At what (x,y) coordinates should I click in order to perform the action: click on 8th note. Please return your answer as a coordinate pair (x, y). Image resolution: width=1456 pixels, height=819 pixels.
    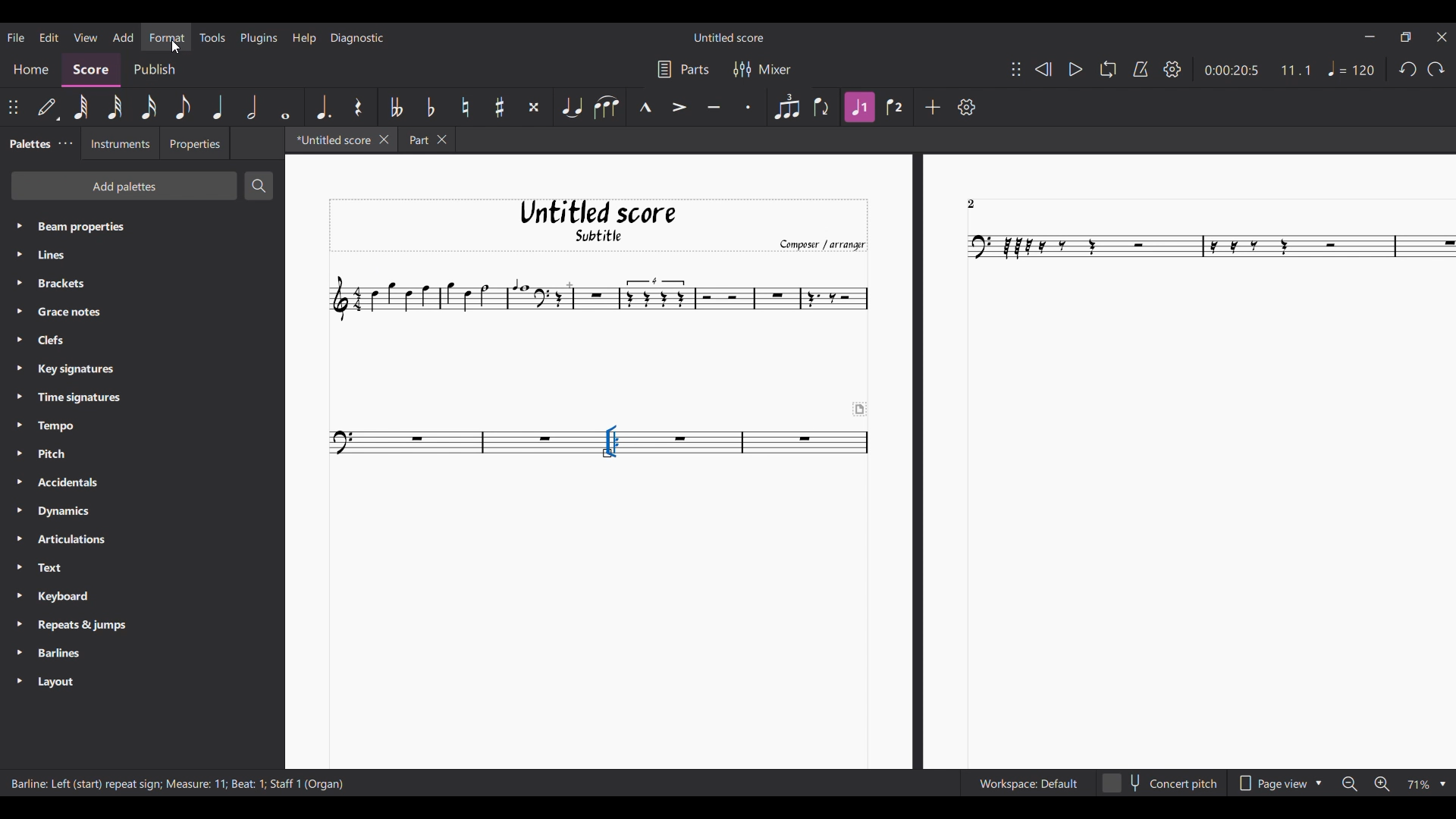
    Looking at the image, I should click on (184, 107).